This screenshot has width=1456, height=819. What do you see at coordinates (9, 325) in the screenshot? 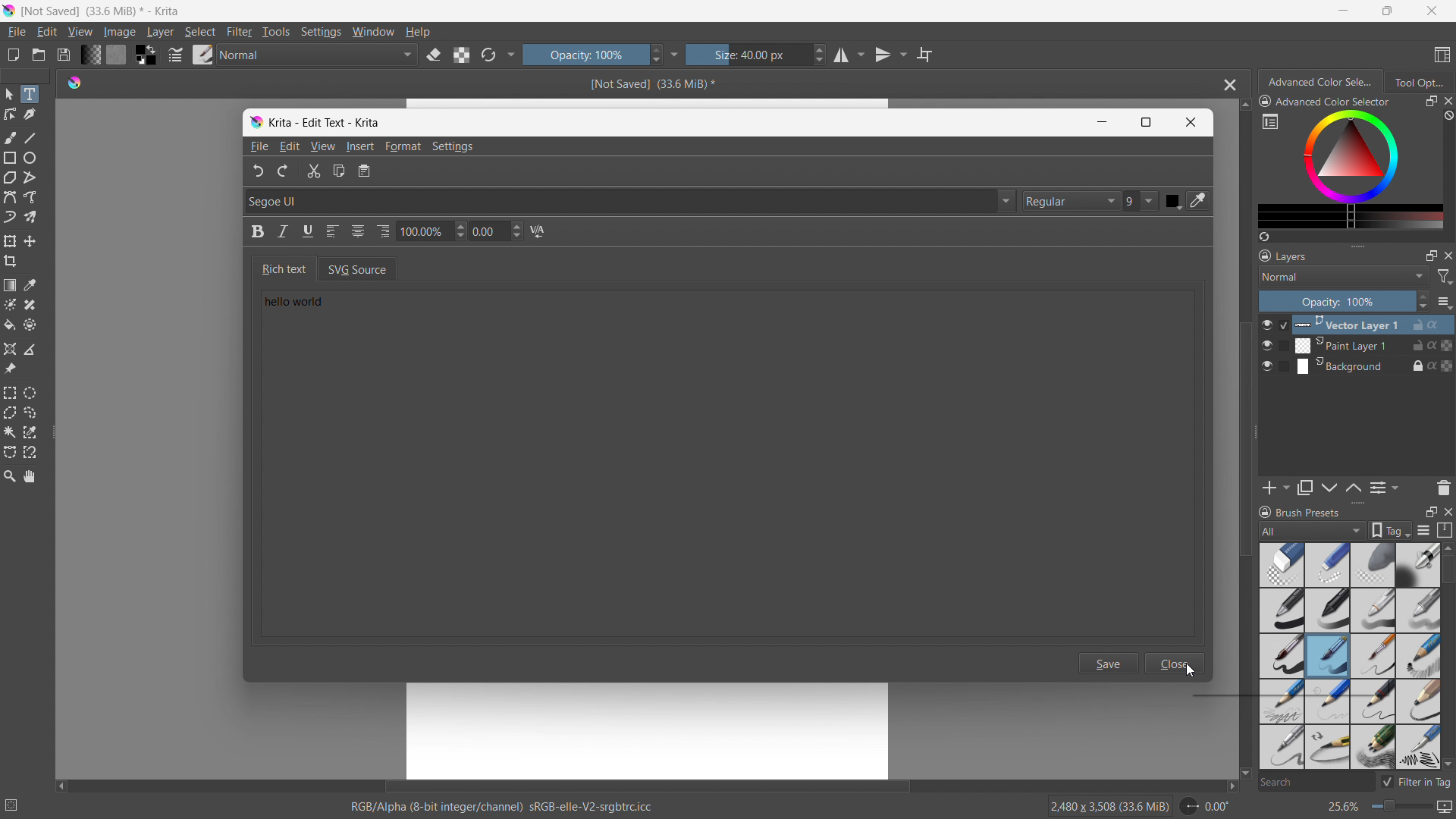
I see `fill a contiguous area of color with a color` at bounding box center [9, 325].